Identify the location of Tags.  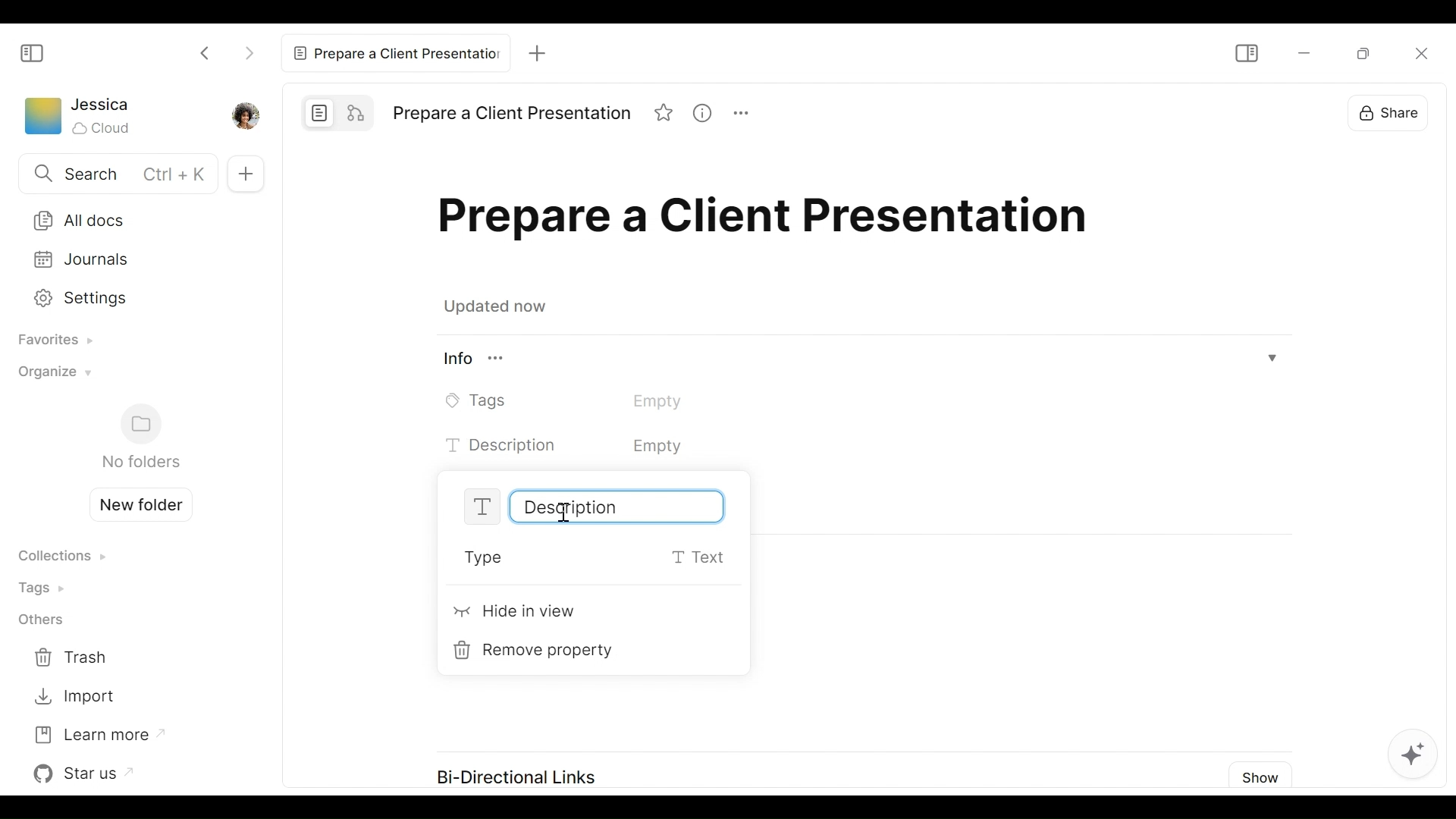
(46, 587).